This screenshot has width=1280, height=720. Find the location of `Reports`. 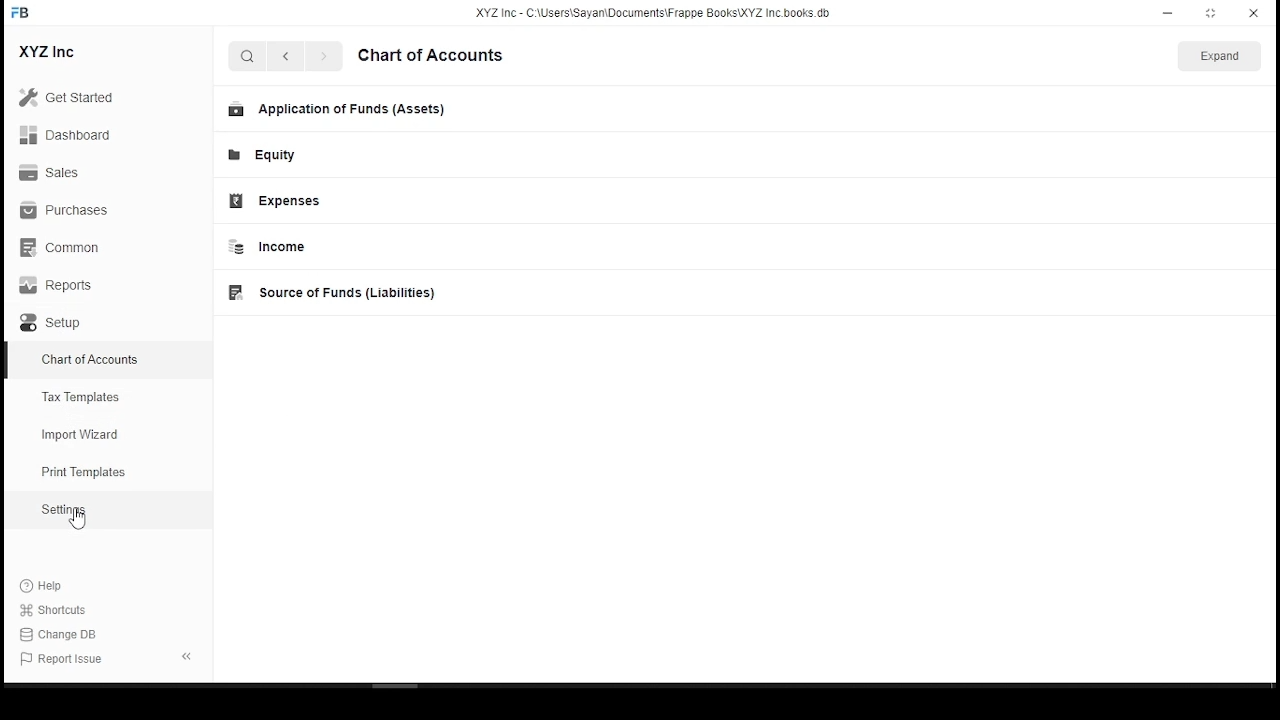

Reports is located at coordinates (54, 285).